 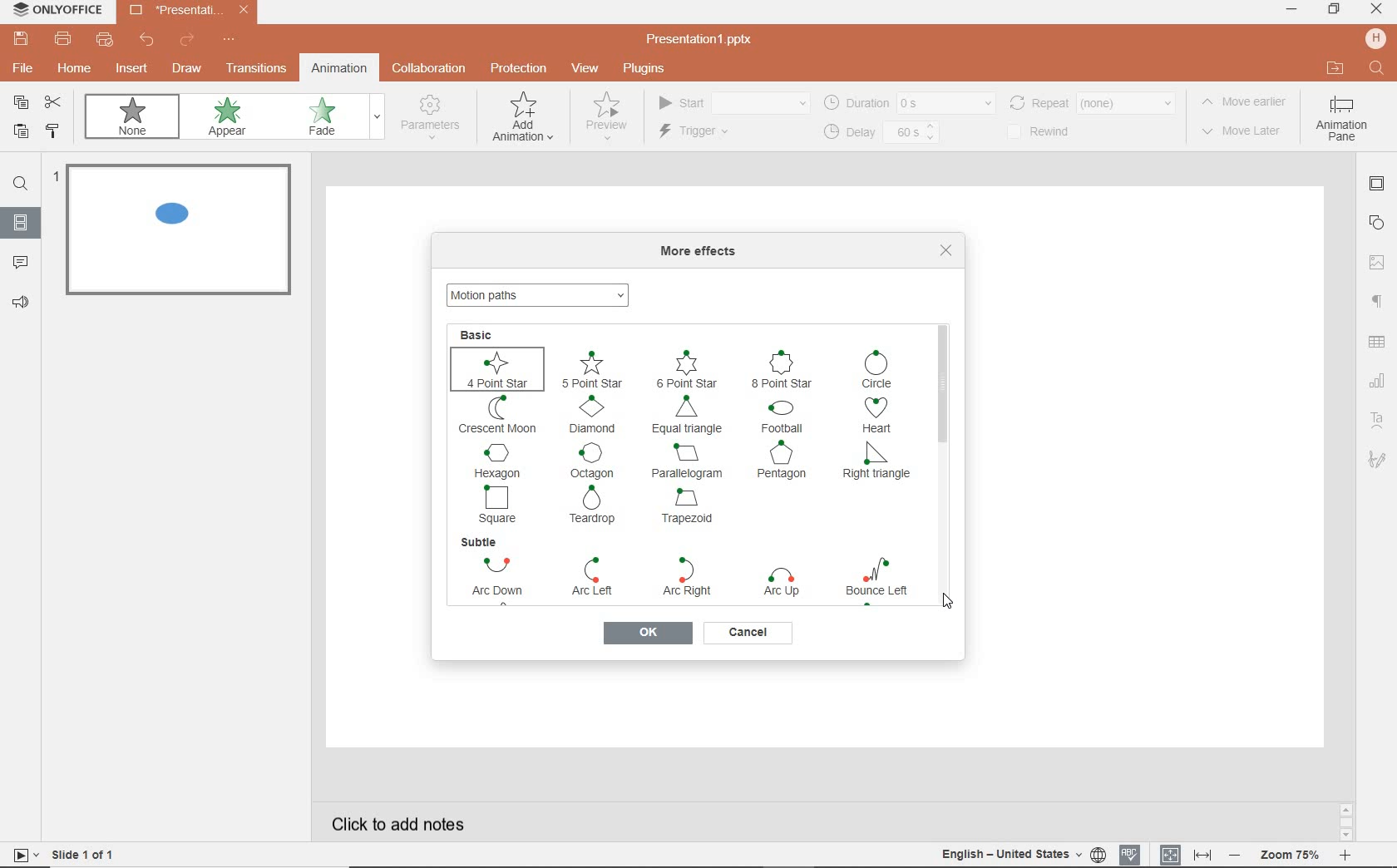 I want to click on COPY STYLE, so click(x=53, y=131).